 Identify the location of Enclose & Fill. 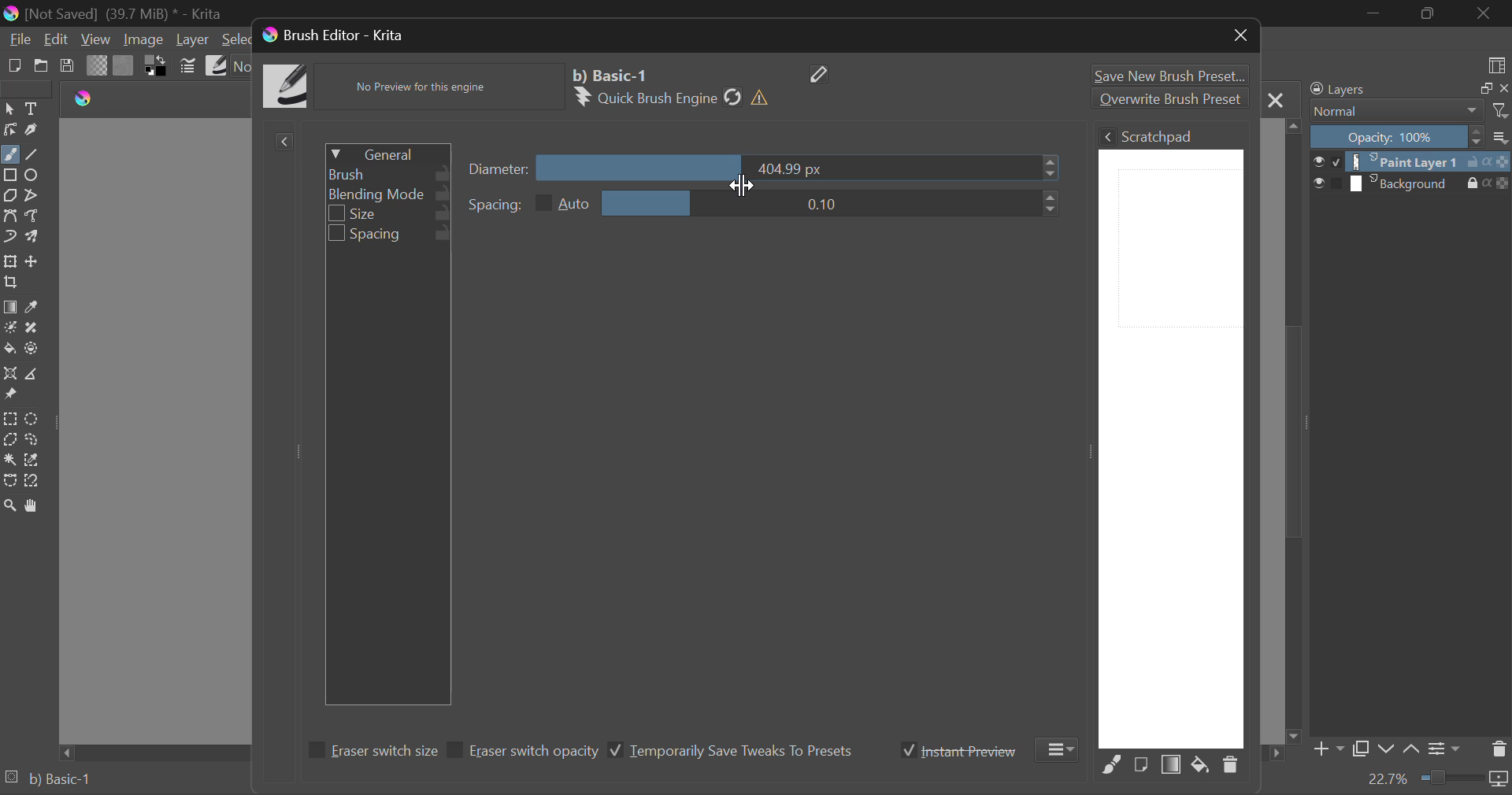
(32, 348).